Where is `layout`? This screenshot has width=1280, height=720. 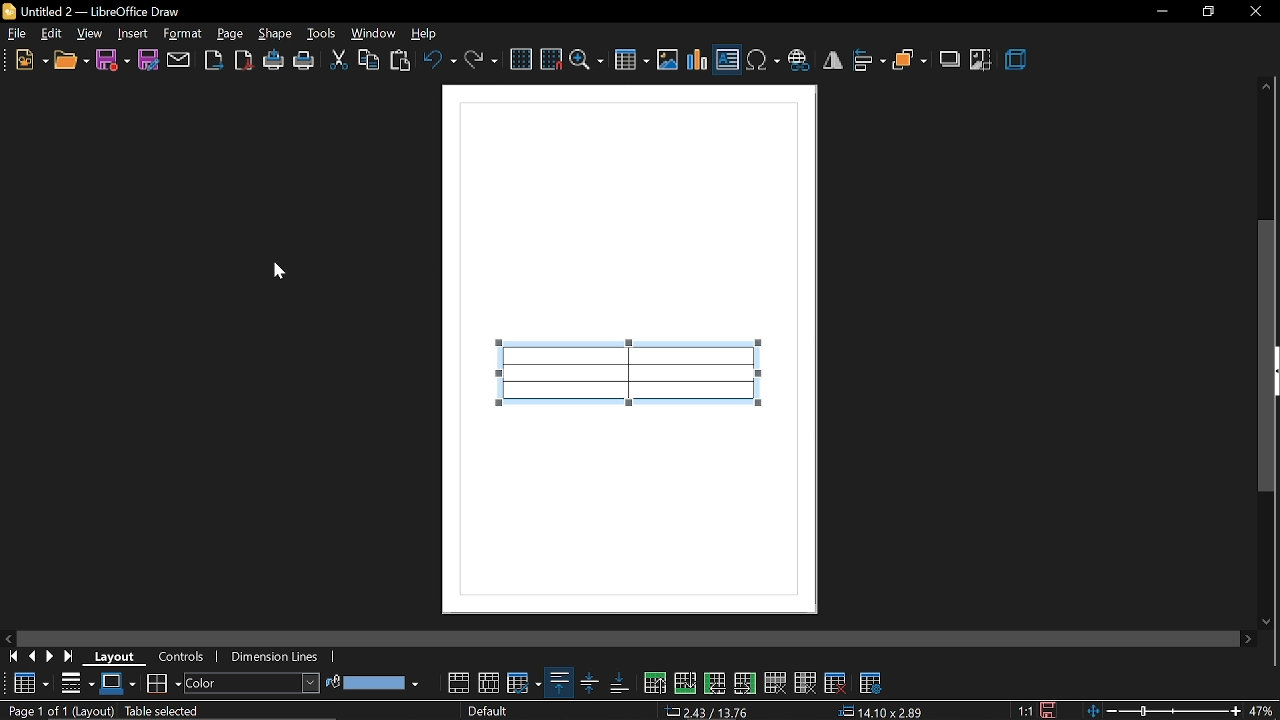 layout is located at coordinates (119, 654).